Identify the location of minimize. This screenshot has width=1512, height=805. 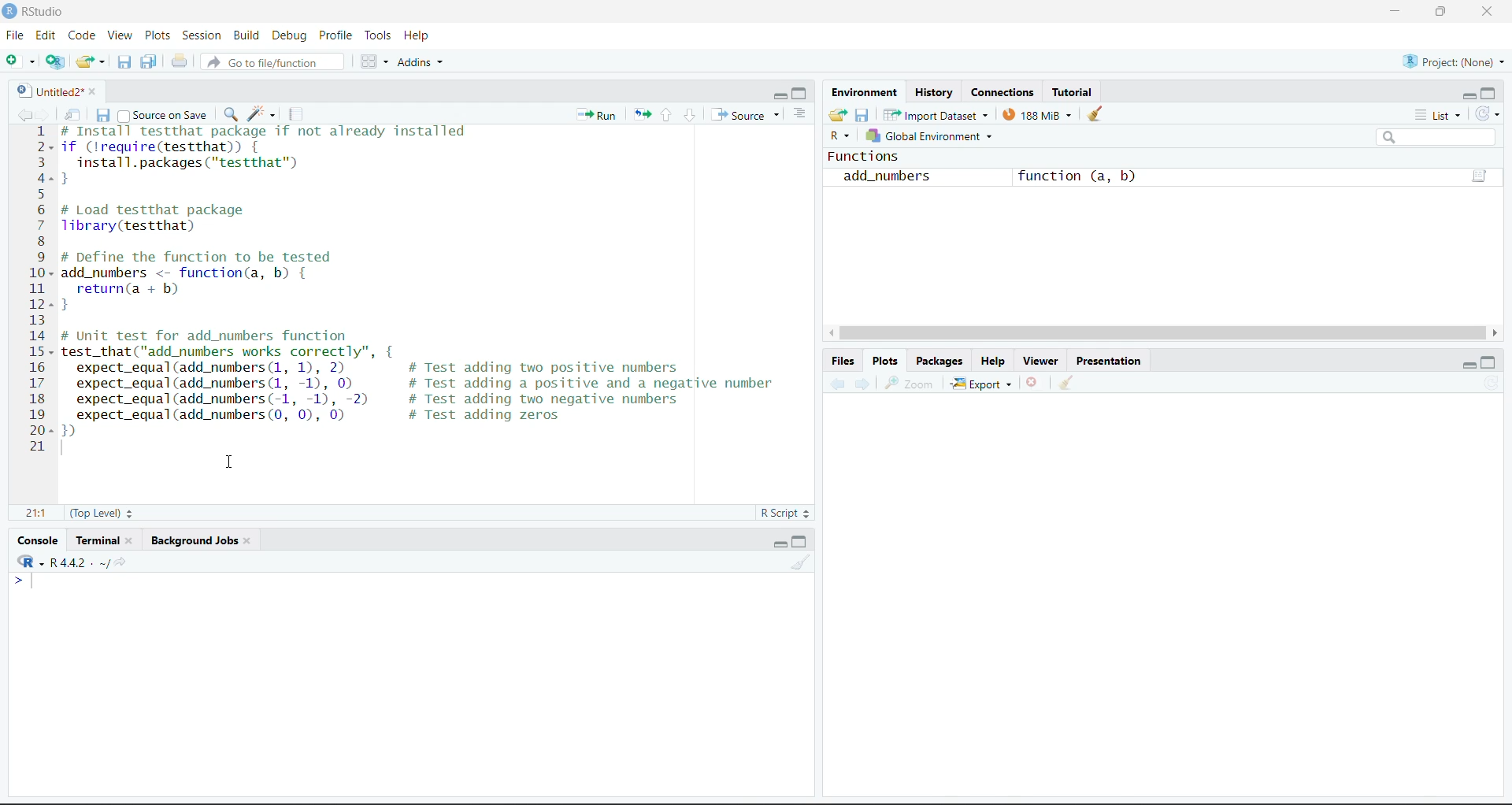
(1468, 95).